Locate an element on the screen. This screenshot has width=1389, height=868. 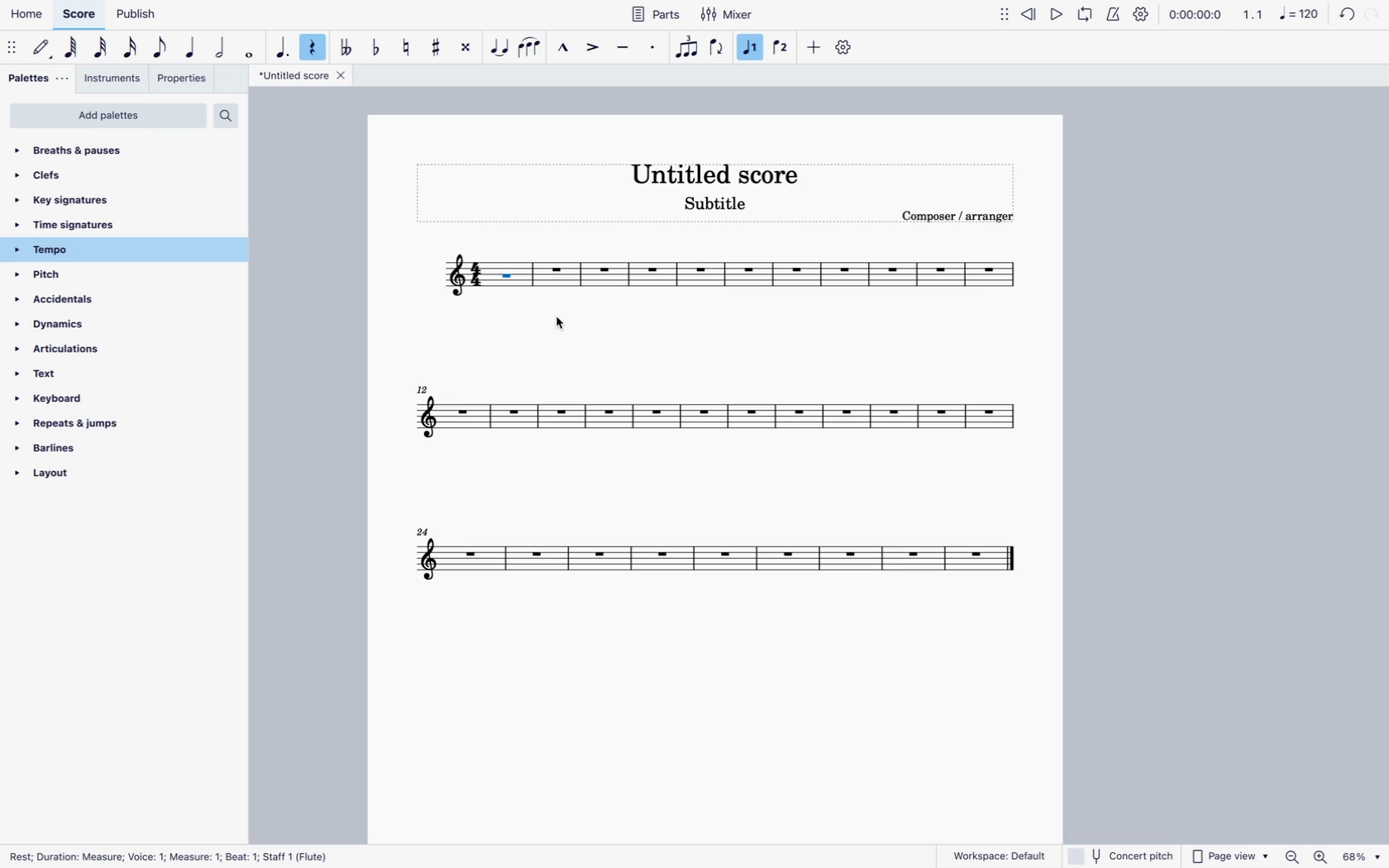
publish is located at coordinates (136, 15).